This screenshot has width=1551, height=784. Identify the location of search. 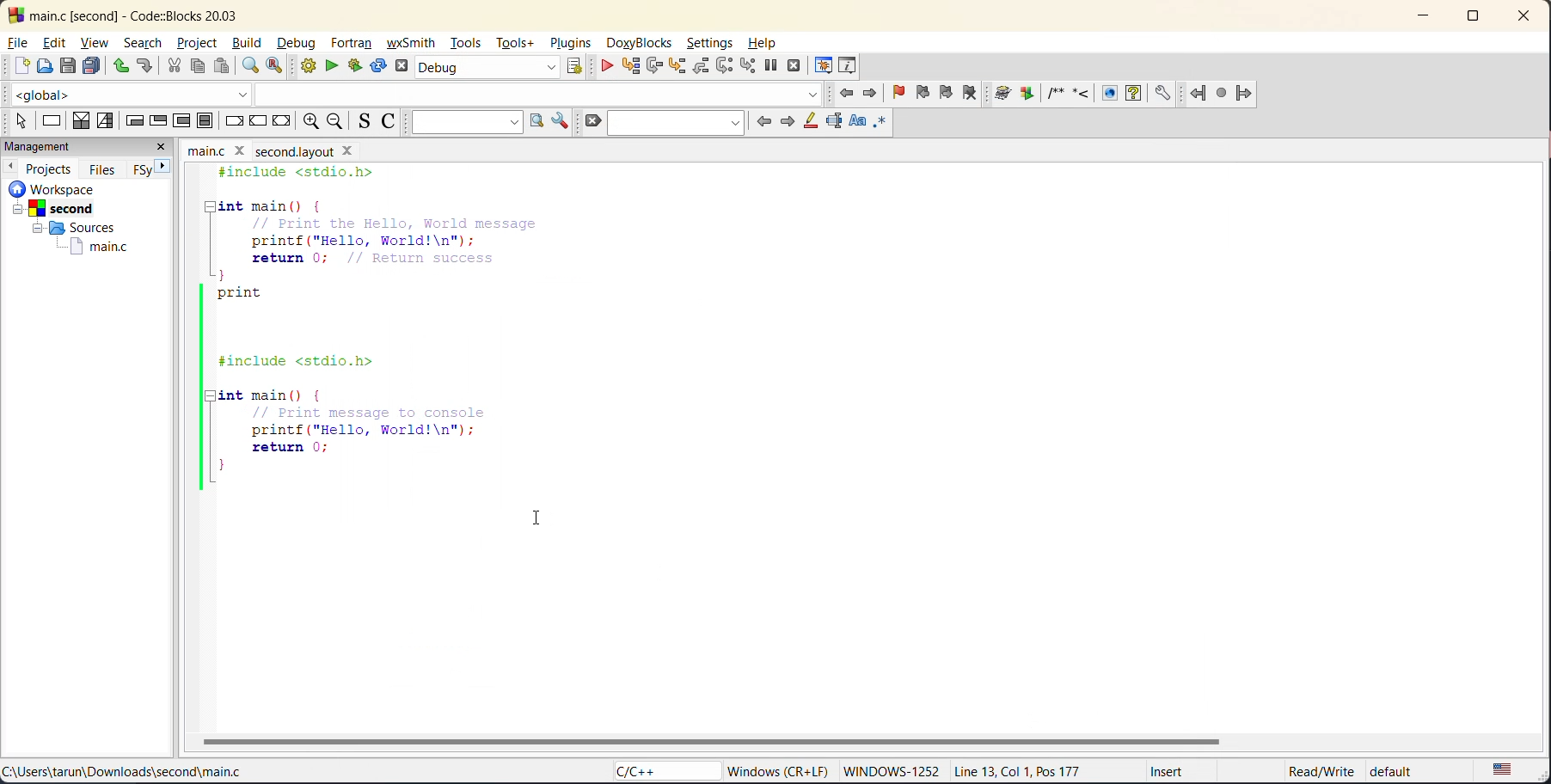
(674, 121).